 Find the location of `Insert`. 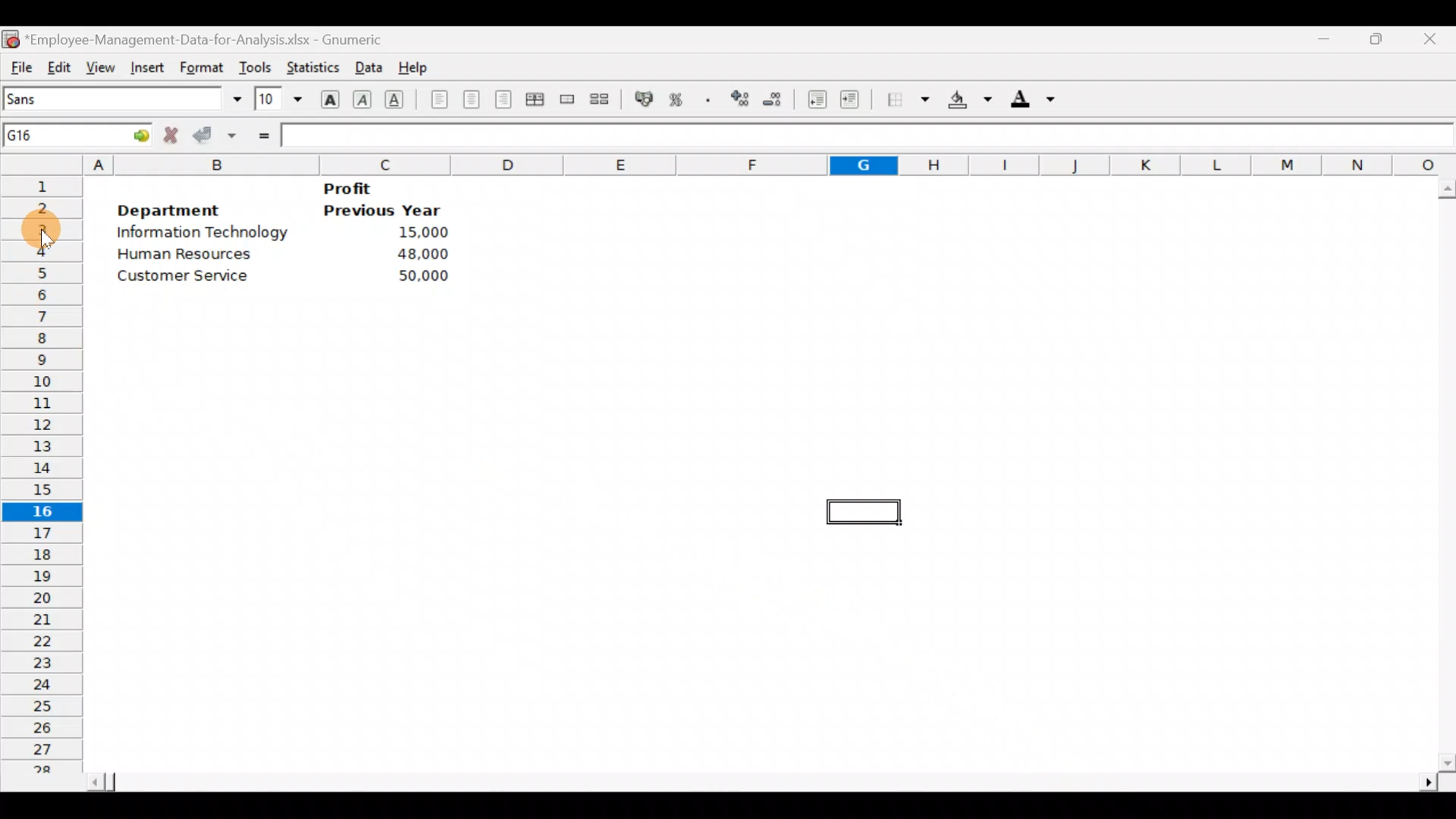

Insert is located at coordinates (145, 65).